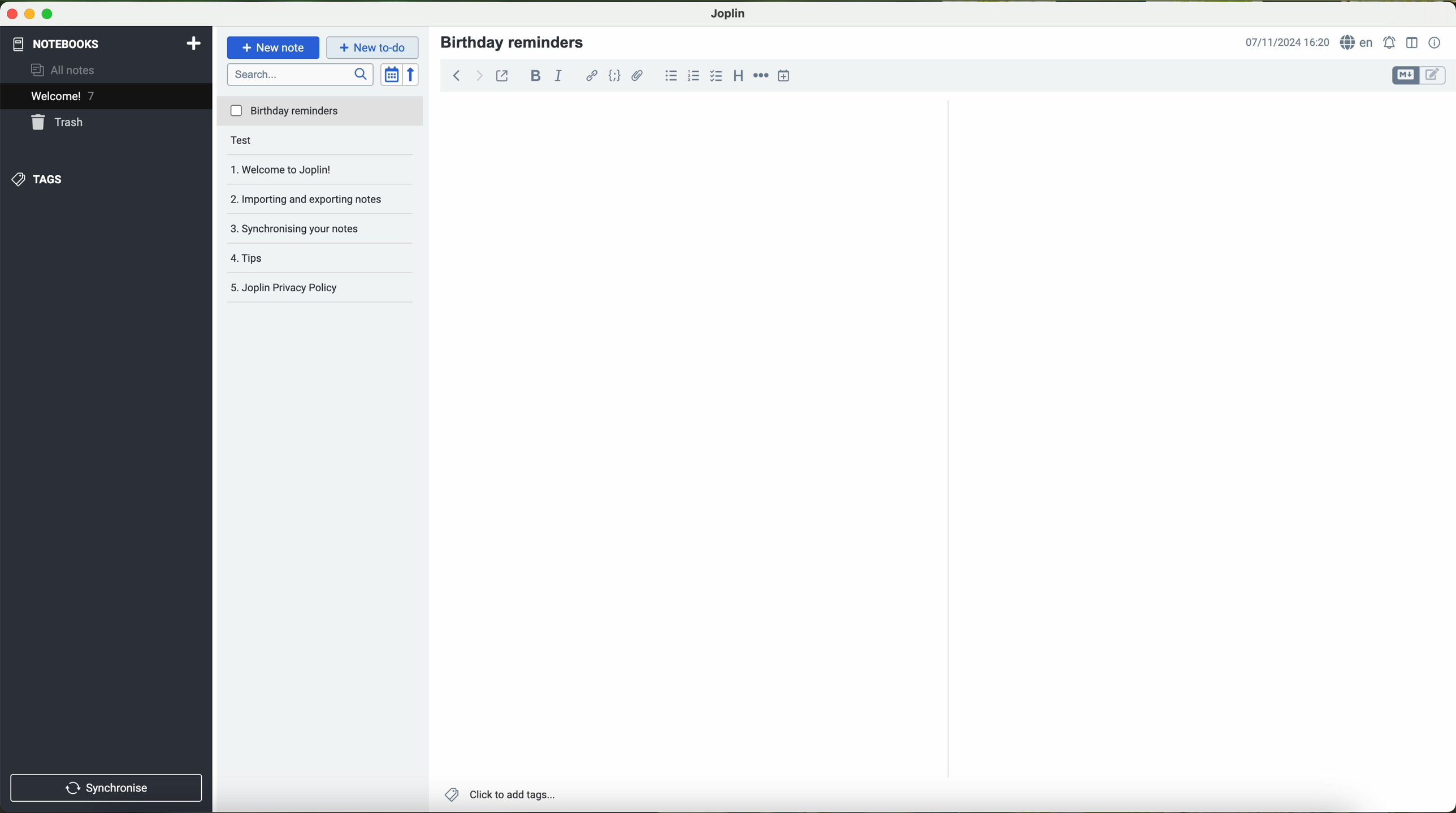 The image size is (1456, 813). I want to click on horizontal rule, so click(761, 76).